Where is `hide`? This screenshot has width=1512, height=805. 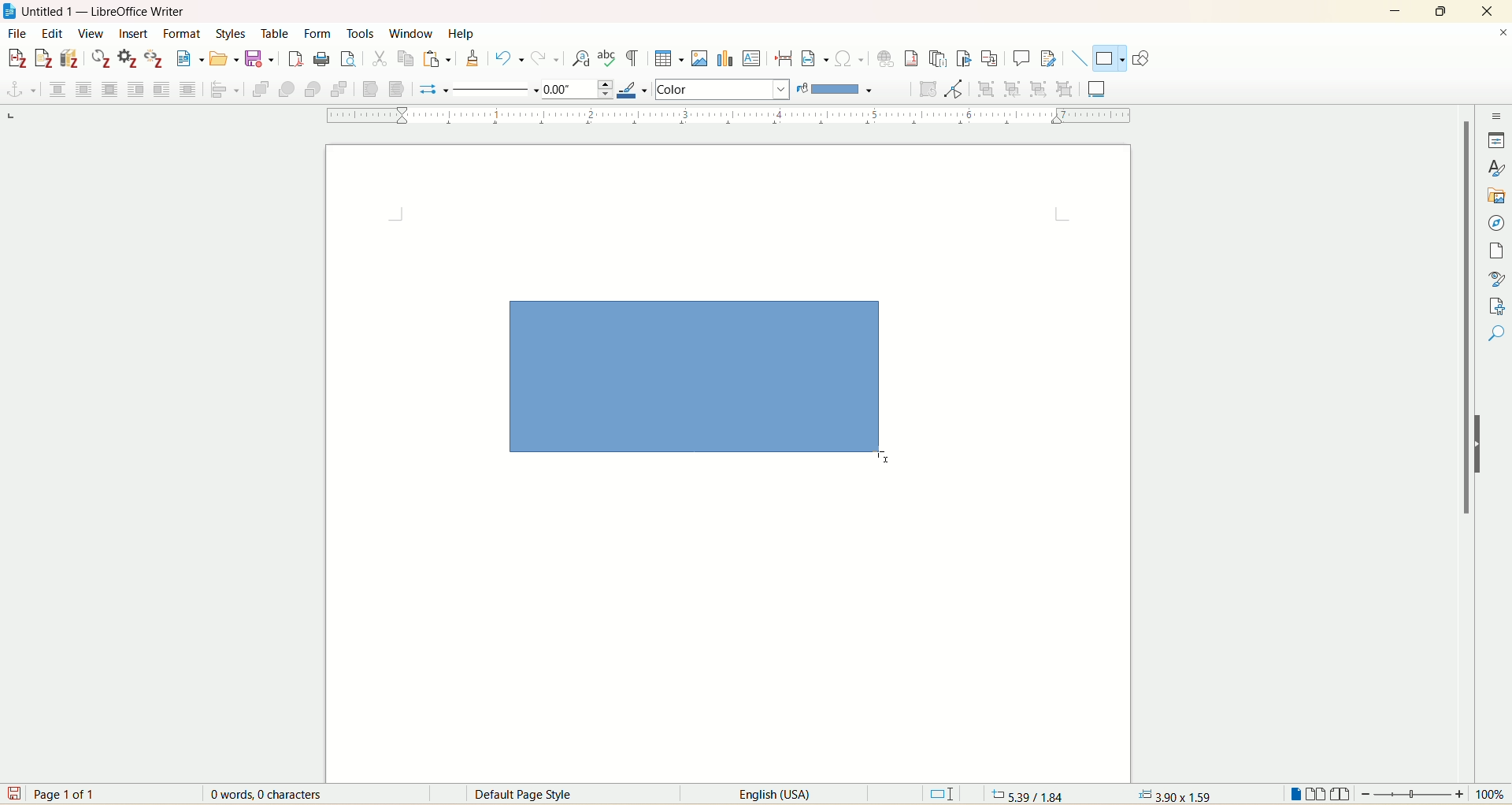
hide is located at coordinates (1484, 443).